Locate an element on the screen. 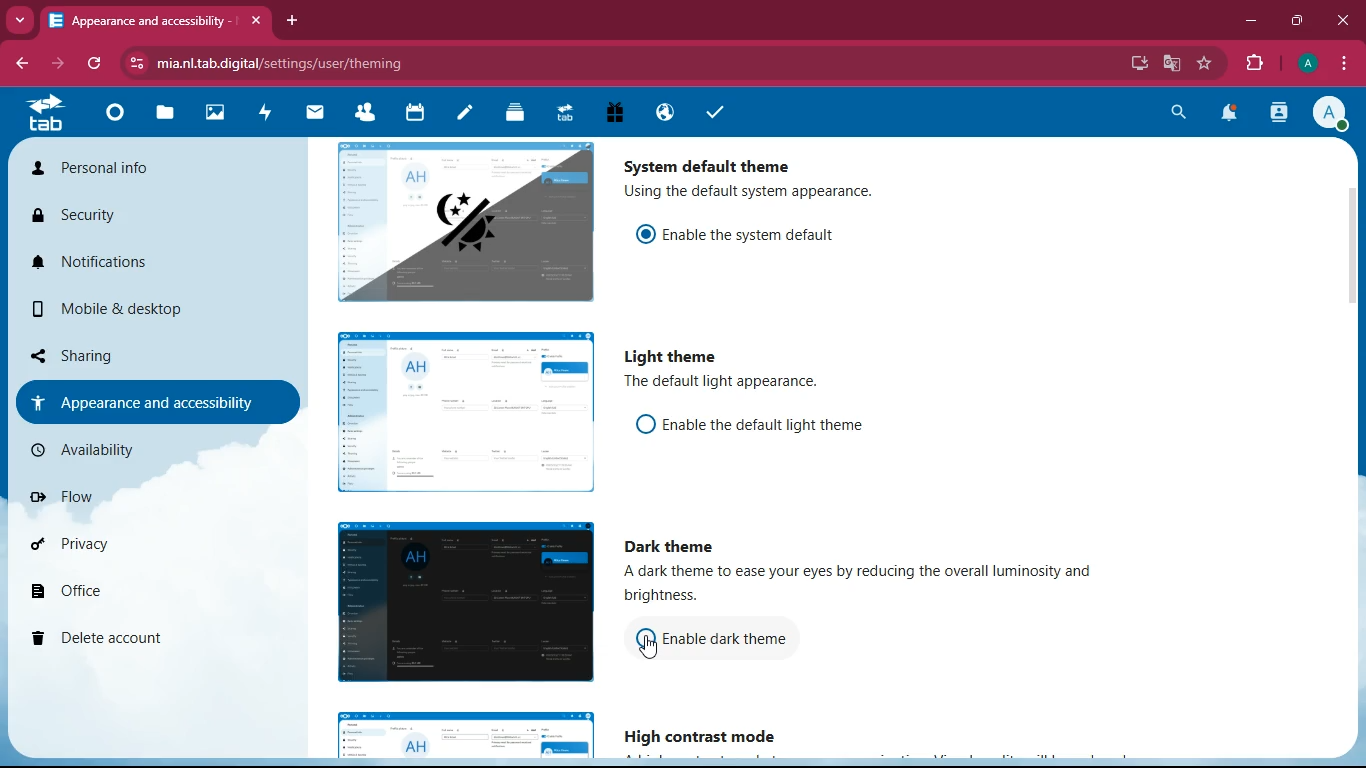  calendar is located at coordinates (415, 114).